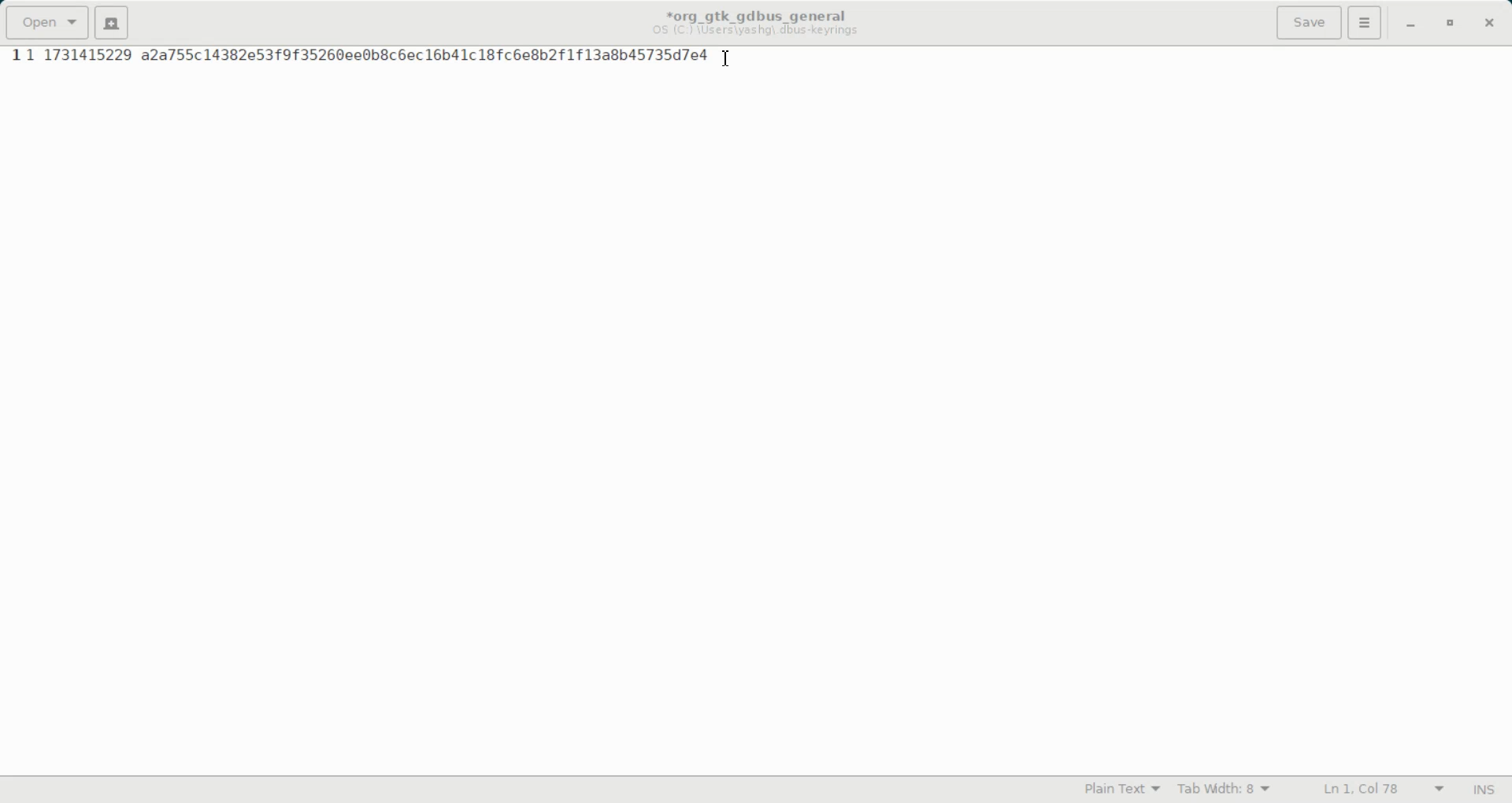 This screenshot has height=803, width=1512. What do you see at coordinates (1308, 22) in the screenshot?
I see `Save` at bounding box center [1308, 22].